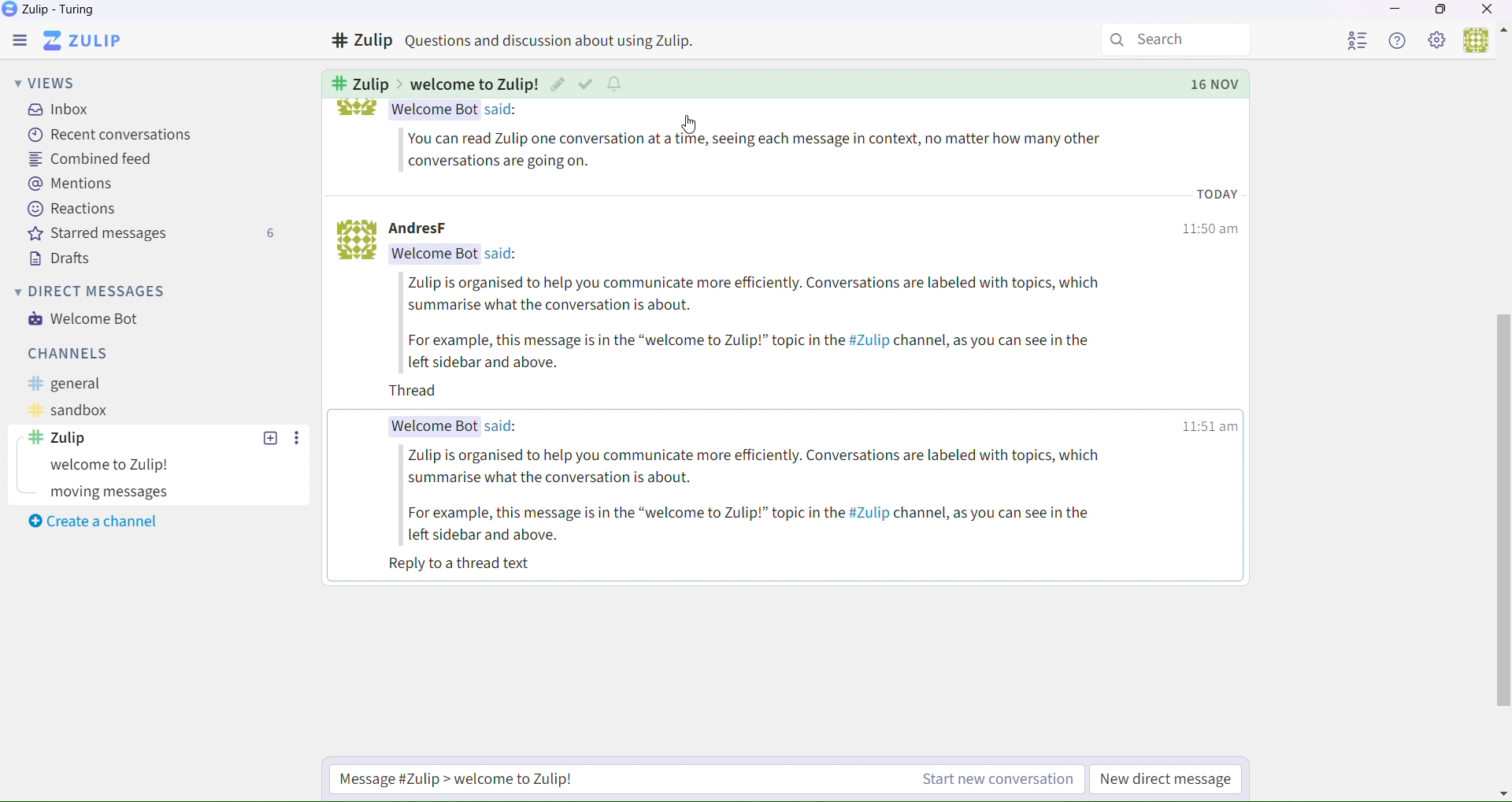 This screenshot has width=1512, height=802. What do you see at coordinates (1442, 13) in the screenshot?
I see `Box` at bounding box center [1442, 13].